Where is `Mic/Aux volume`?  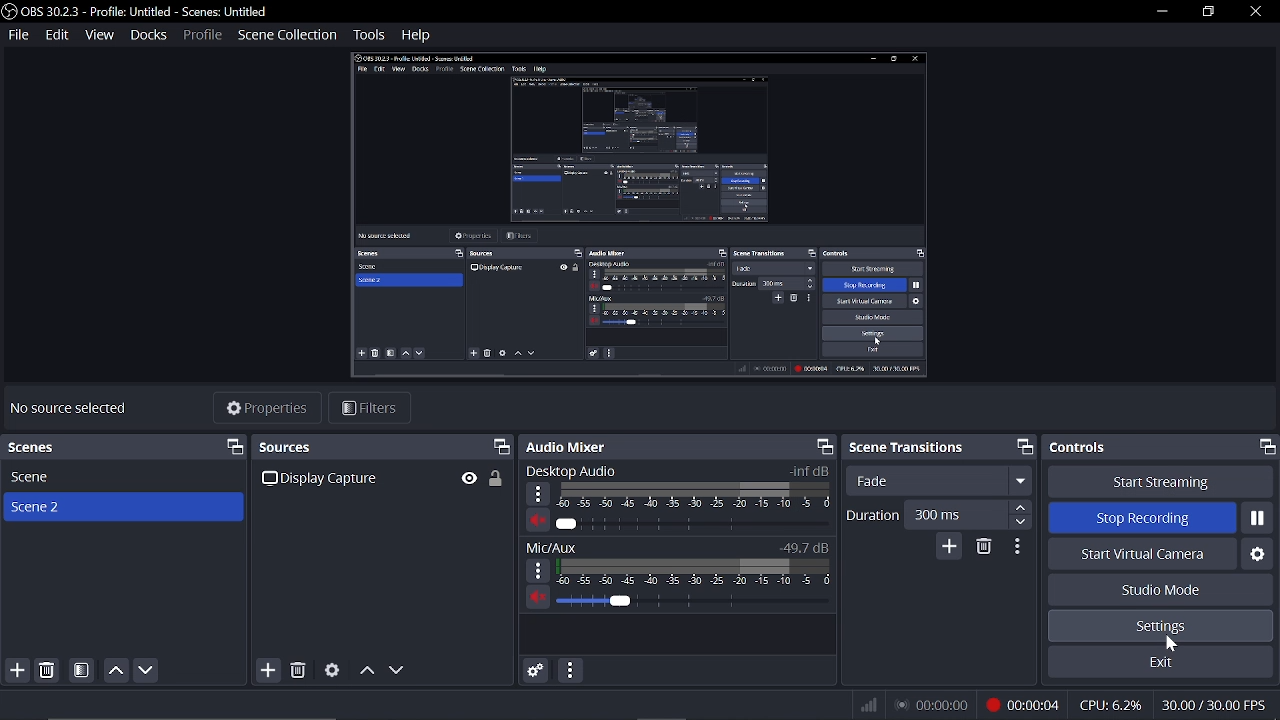 Mic/Aux volume is located at coordinates (692, 598).